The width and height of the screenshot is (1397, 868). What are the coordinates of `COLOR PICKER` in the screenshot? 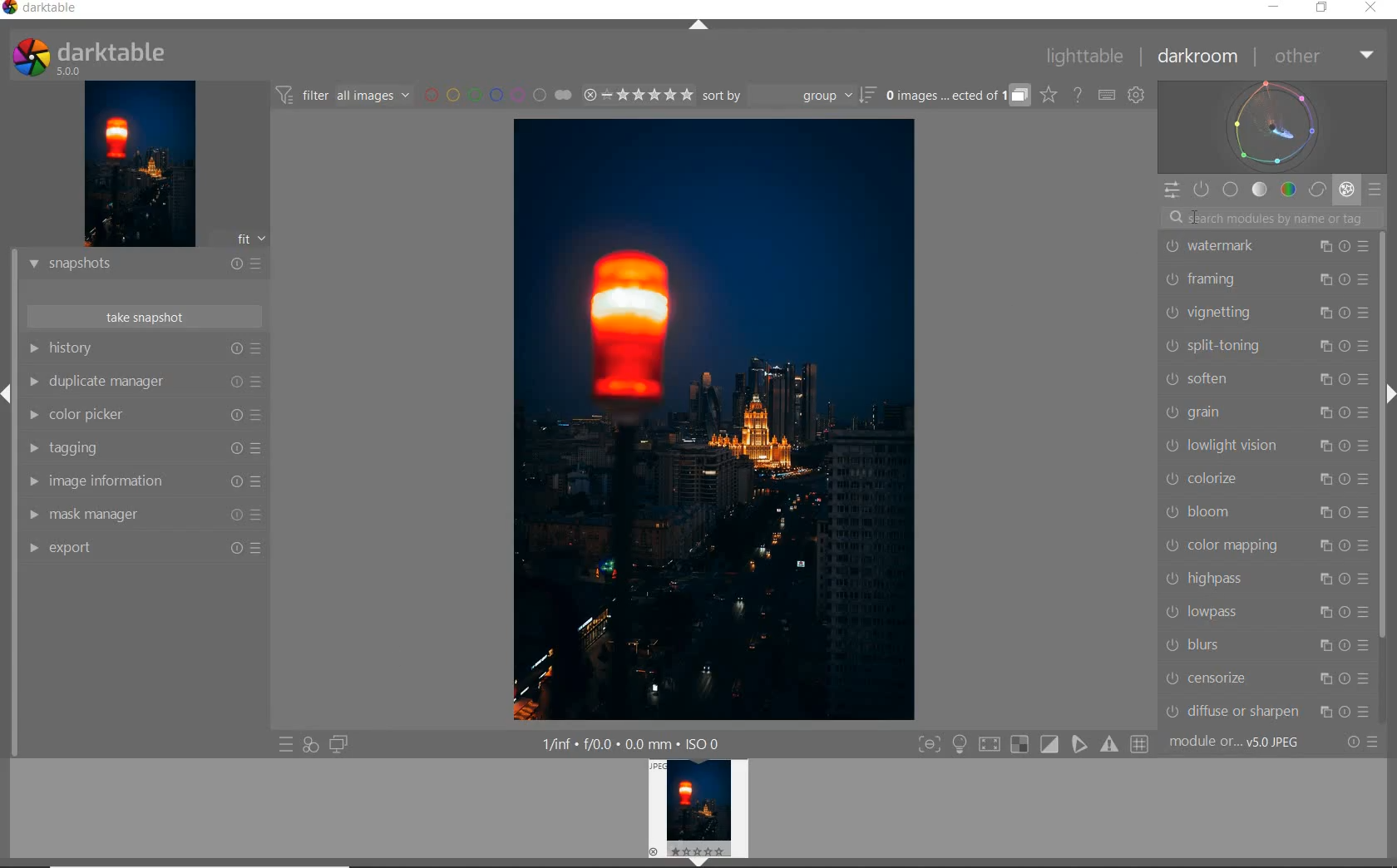 It's located at (114, 416).